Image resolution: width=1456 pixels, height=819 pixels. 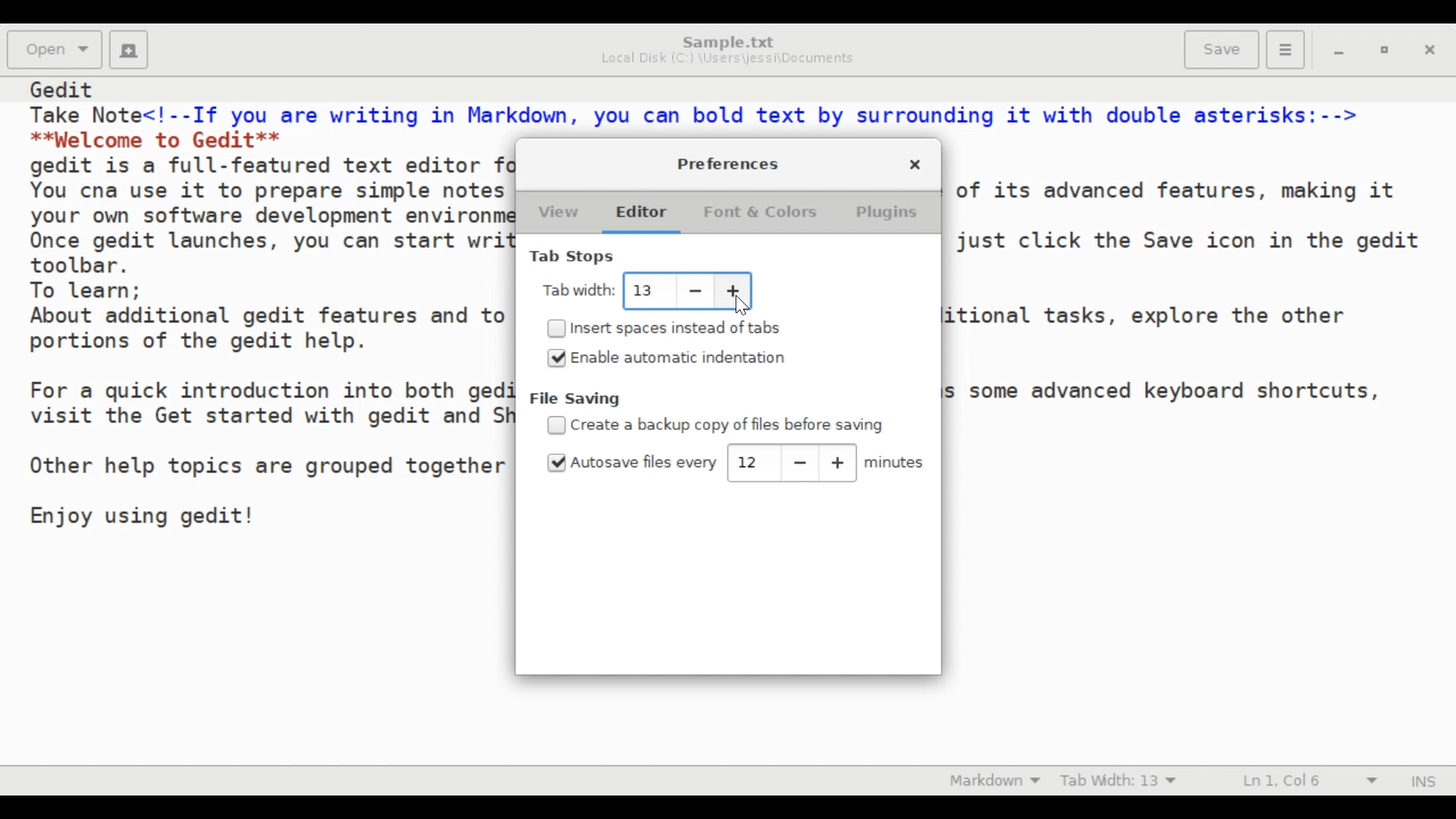 I want to click on increase, so click(x=838, y=462).